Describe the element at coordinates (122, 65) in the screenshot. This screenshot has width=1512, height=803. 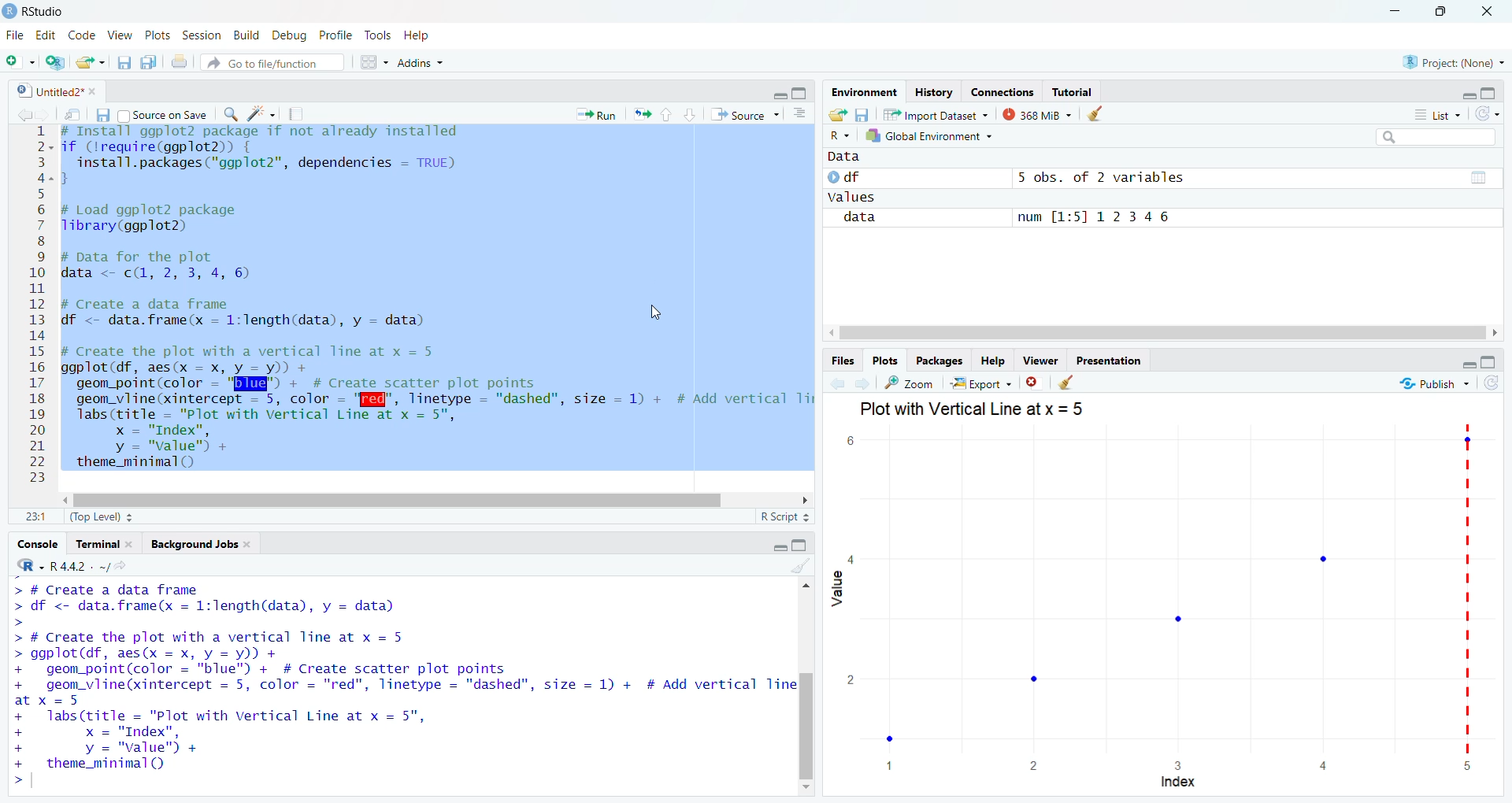
I see `files` at that location.